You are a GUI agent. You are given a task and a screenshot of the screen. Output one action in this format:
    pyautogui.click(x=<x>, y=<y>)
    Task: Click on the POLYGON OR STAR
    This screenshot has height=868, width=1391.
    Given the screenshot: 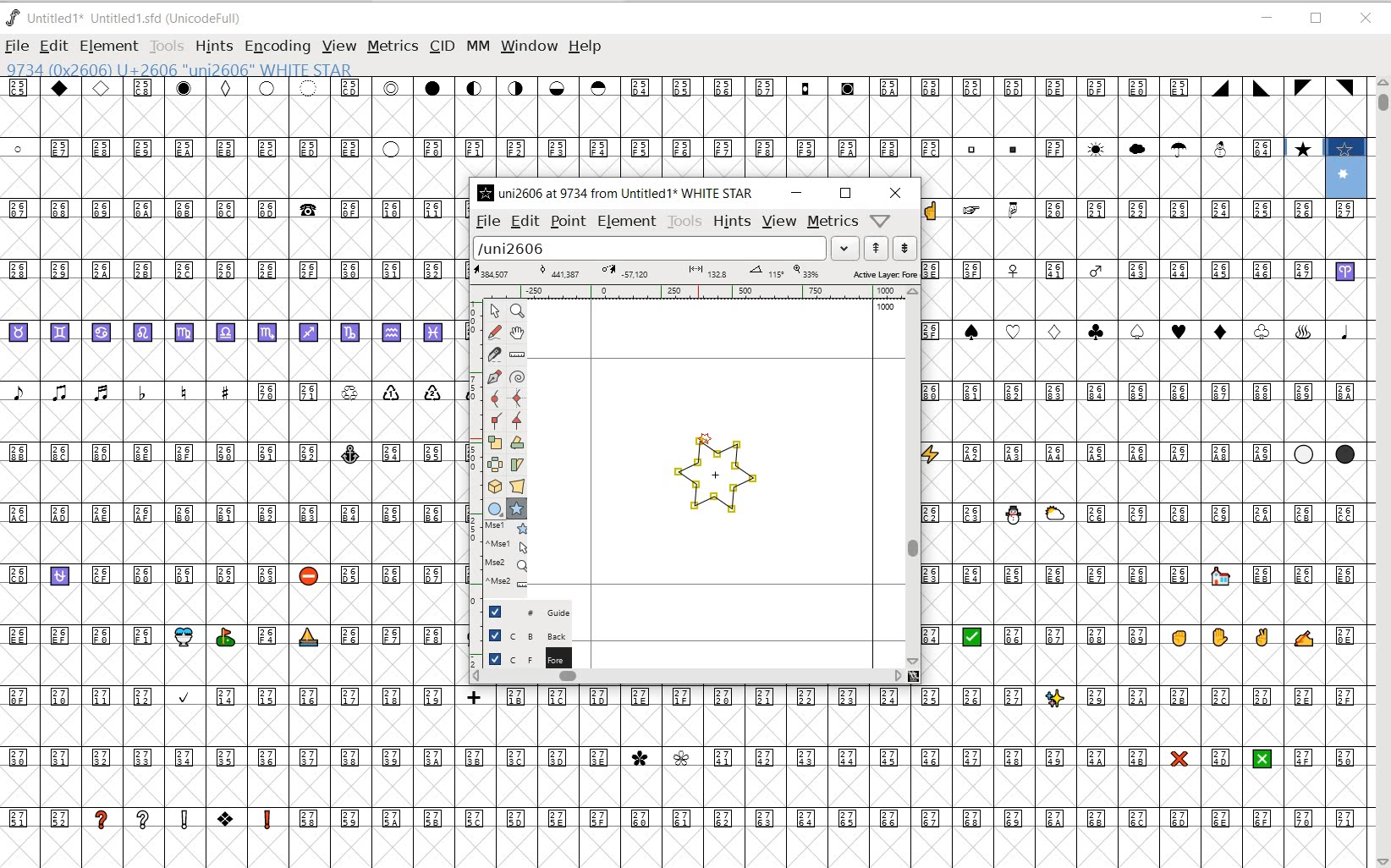 What is the action you would take?
    pyautogui.click(x=516, y=509)
    